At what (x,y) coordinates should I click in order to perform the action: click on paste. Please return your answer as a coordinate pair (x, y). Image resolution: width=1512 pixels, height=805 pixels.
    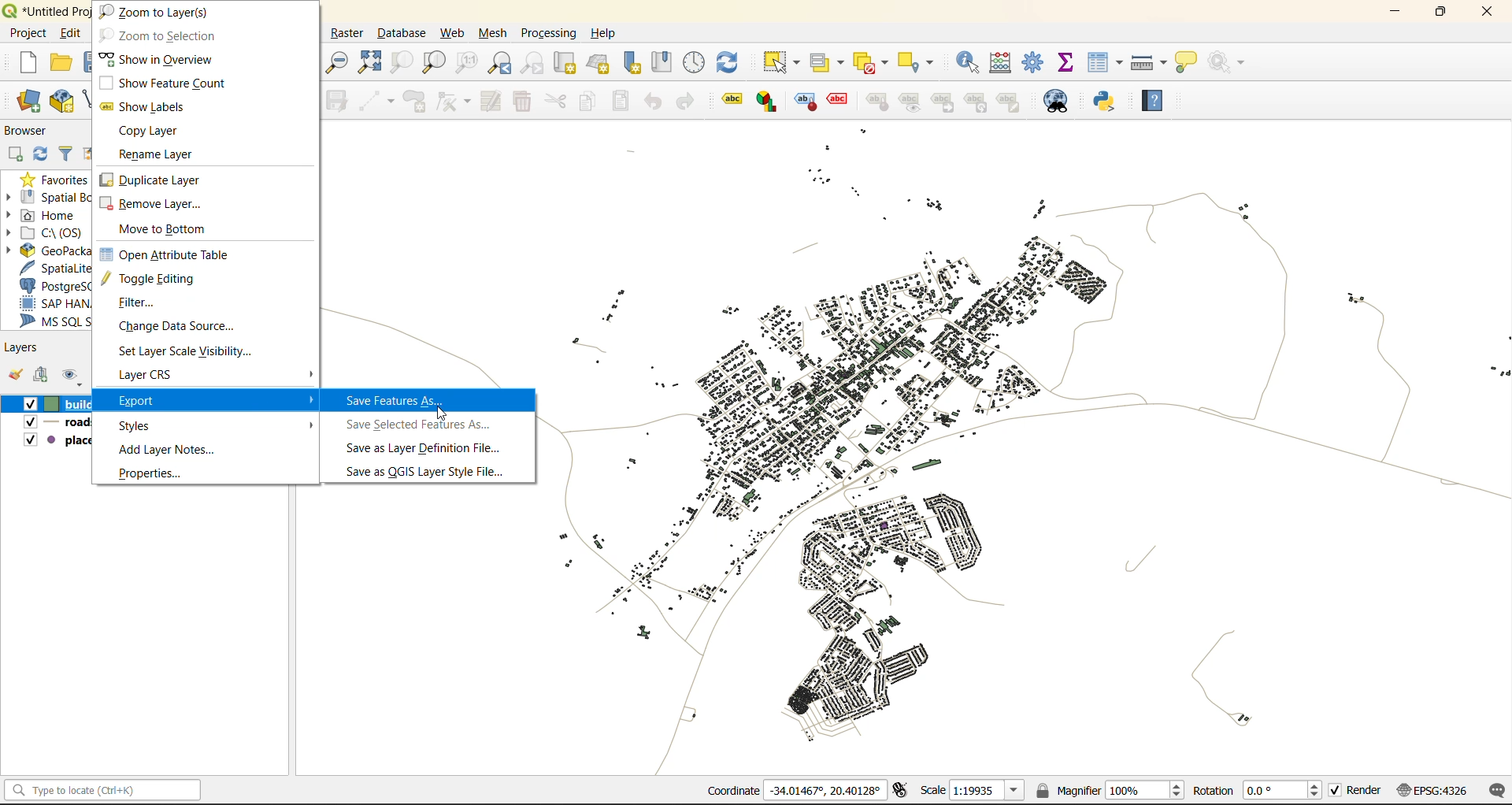
    Looking at the image, I should click on (619, 103).